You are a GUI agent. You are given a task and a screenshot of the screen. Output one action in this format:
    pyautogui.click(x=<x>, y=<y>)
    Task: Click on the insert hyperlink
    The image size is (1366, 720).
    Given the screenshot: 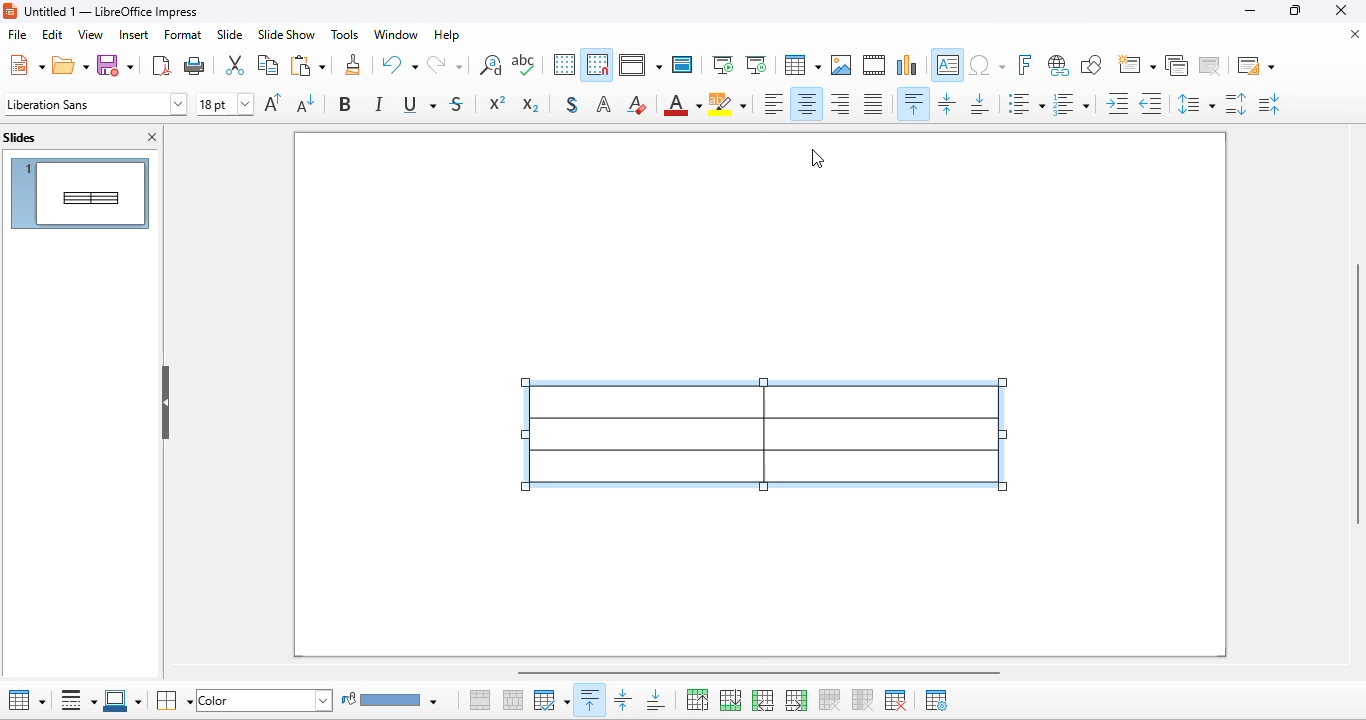 What is the action you would take?
    pyautogui.click(x=1060, y=65)
    